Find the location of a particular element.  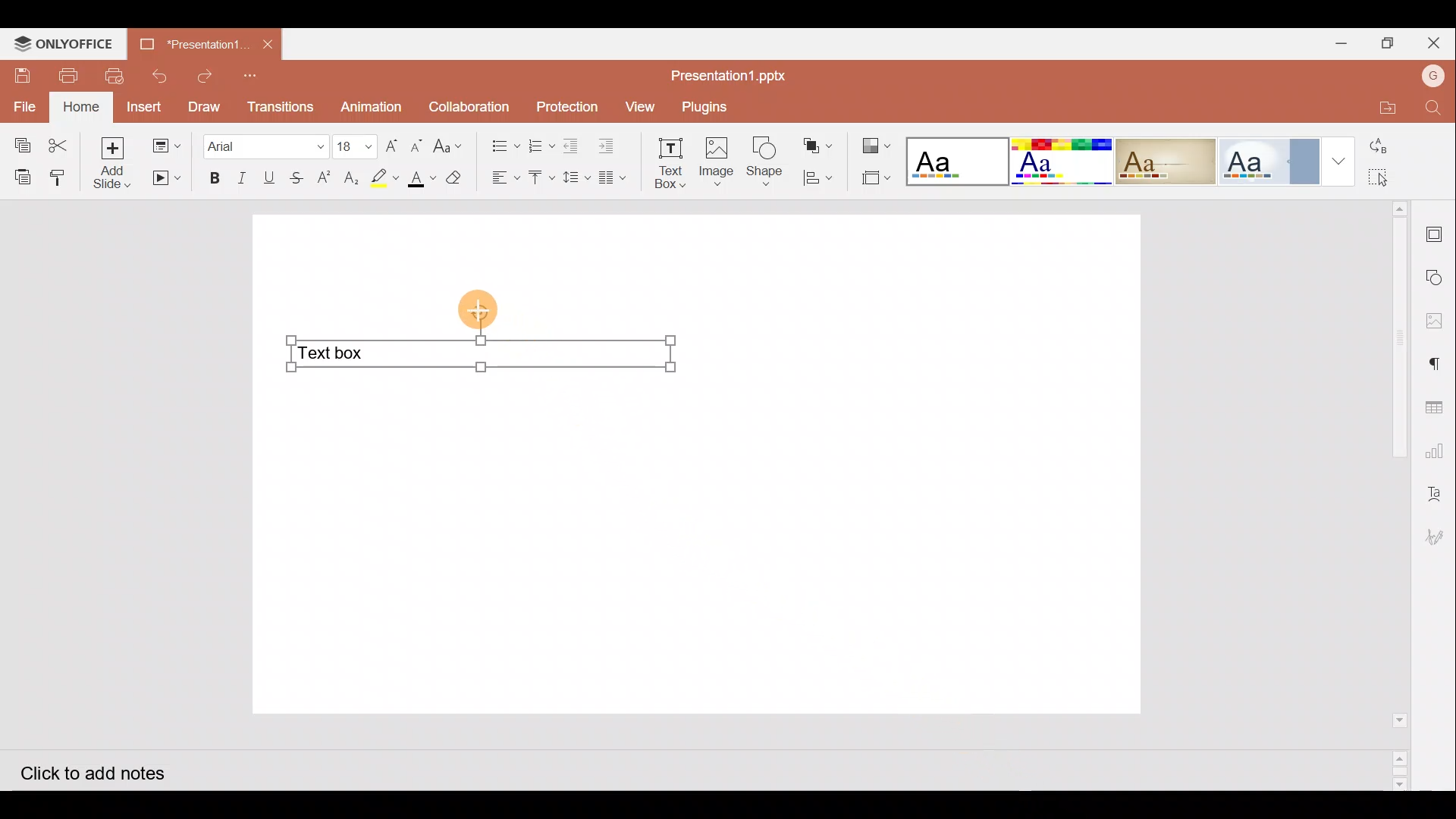

Vertical align is located at coordinates (541, 180).